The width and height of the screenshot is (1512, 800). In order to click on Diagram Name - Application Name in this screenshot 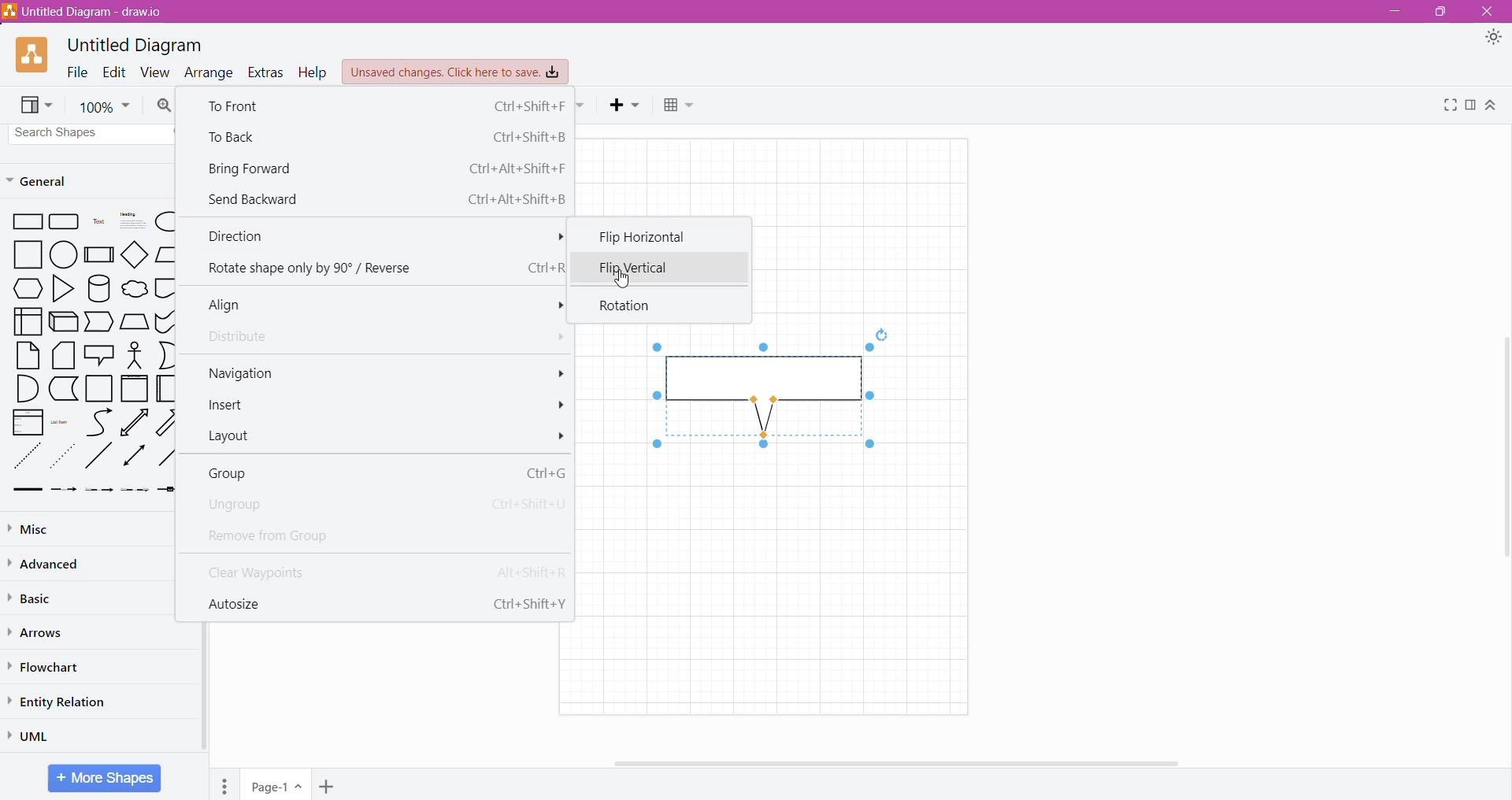, I will do `click(85, 11)`.